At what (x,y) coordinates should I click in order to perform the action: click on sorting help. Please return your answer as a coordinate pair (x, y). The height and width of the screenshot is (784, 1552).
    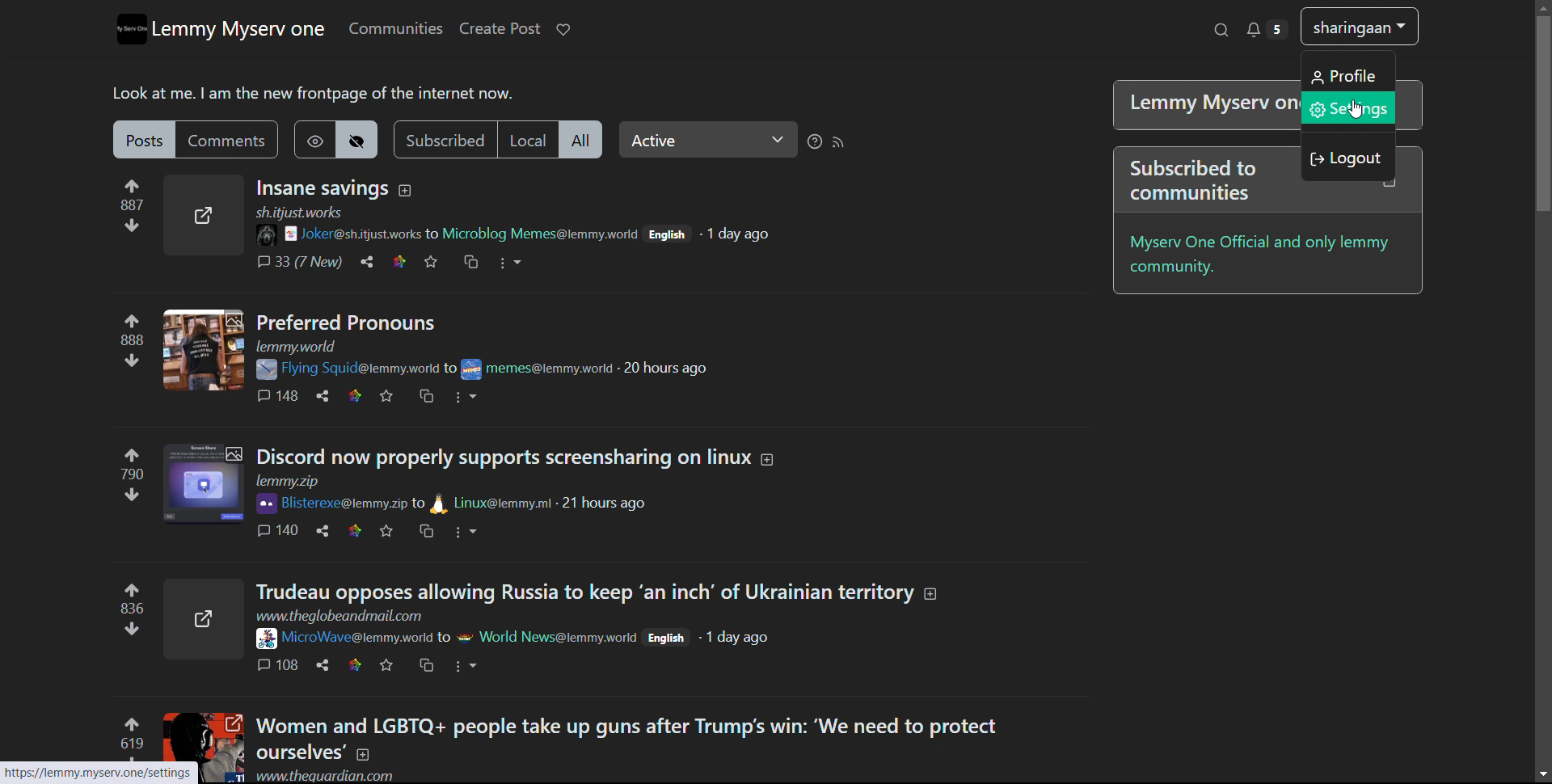
    Looking at the image, I should click on (814, 141).